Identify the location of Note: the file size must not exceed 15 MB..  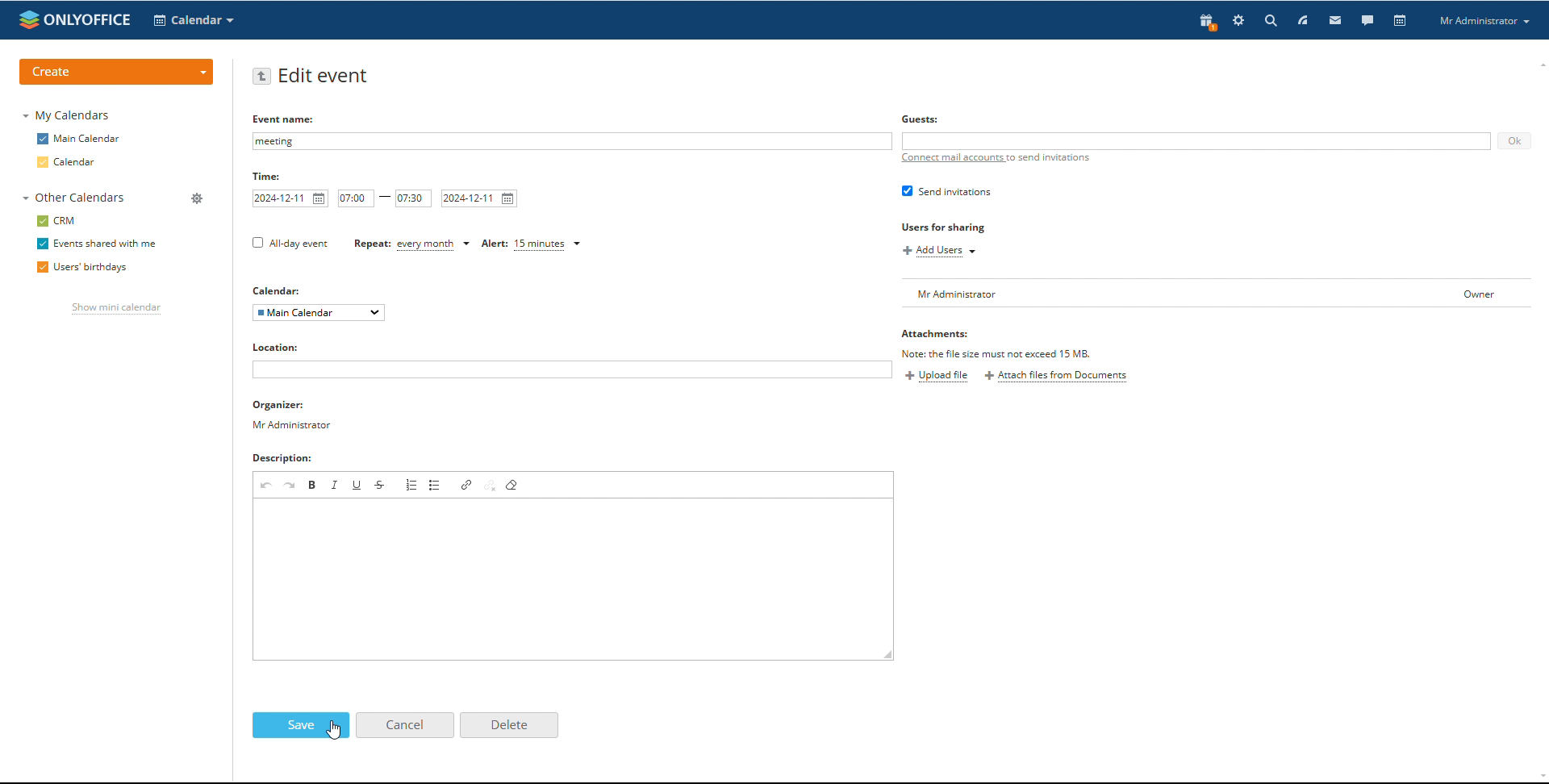
(997, 353).